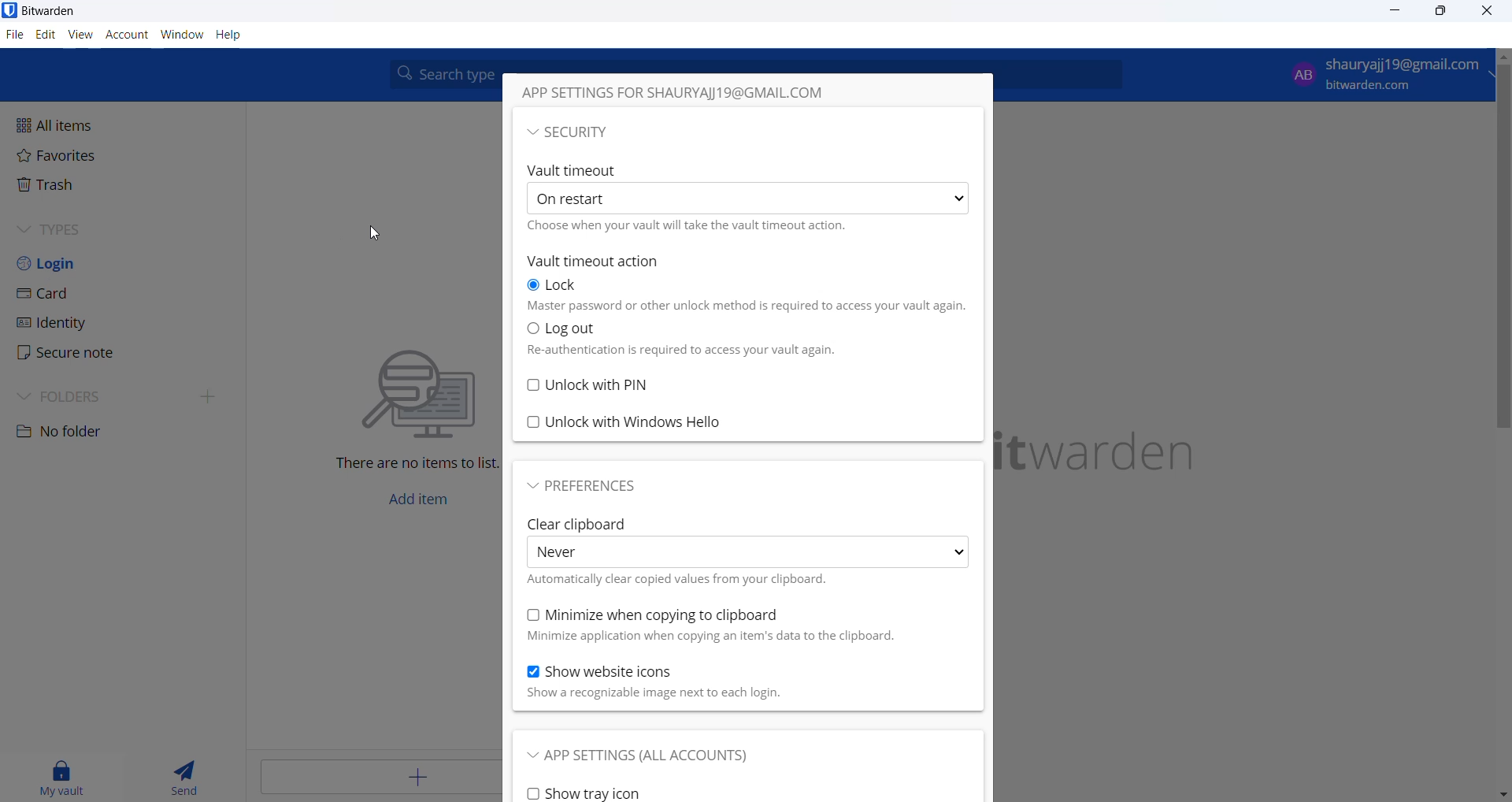 The image size is (1512, 802). What do you see at coordinates (746, 131) in the screenshot?
I see `security` at bounding box center [746, 131].